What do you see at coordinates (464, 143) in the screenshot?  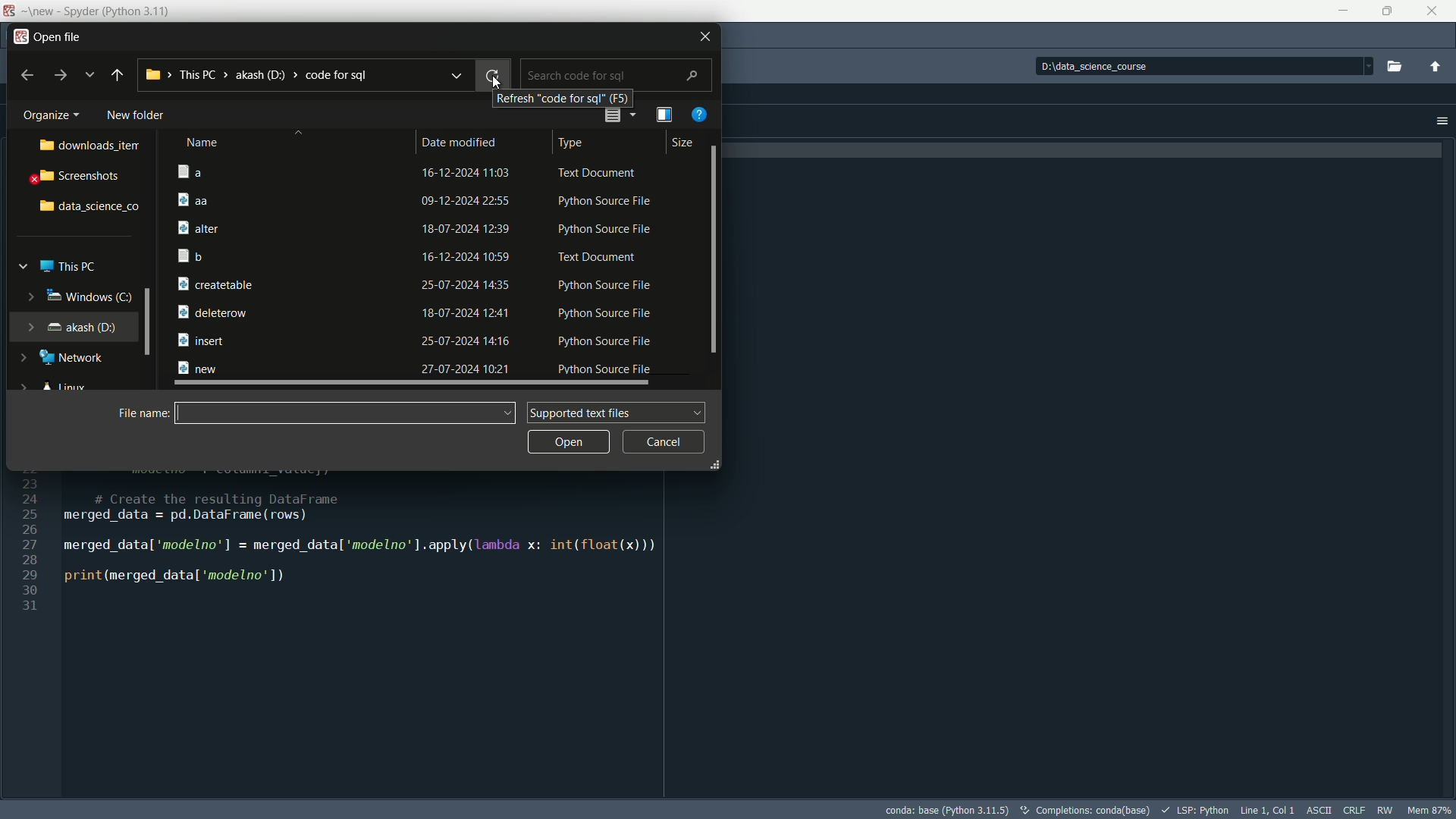 I see `Date modified` at bounding box center [464, 143].